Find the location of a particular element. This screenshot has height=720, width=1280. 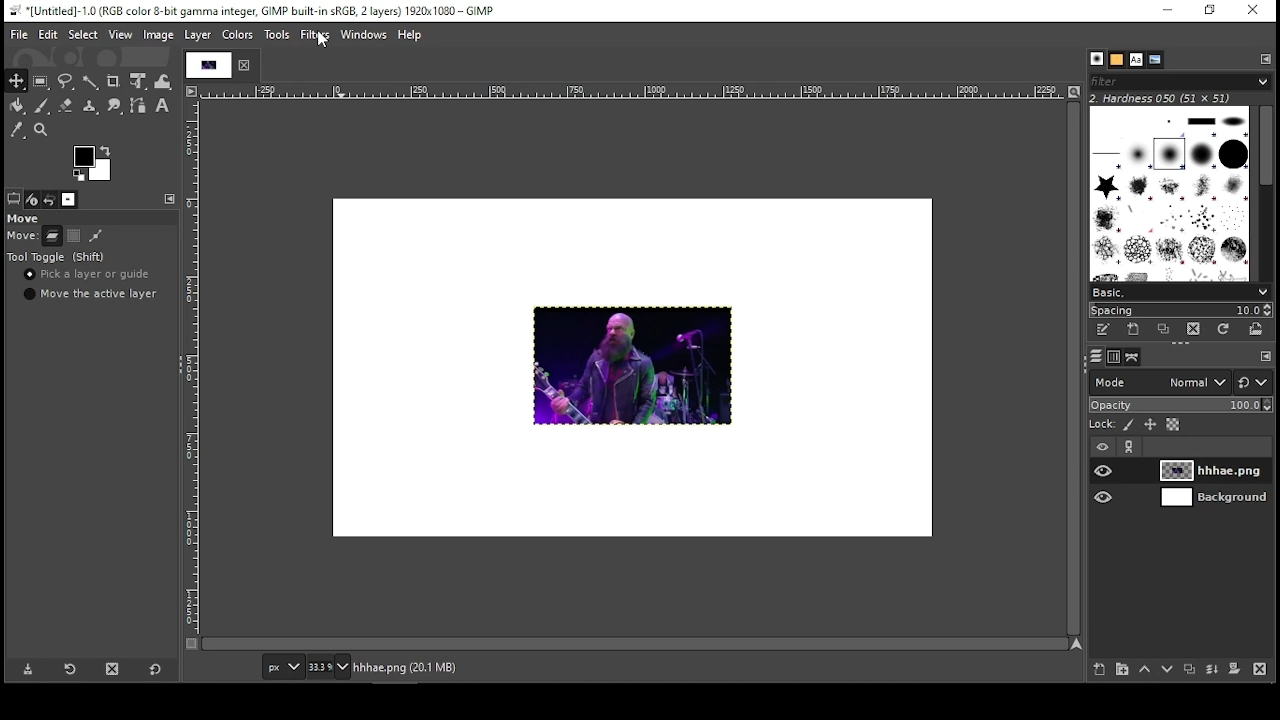

hhhae.png (20.1 mb) is located at coordinates (406, 667).